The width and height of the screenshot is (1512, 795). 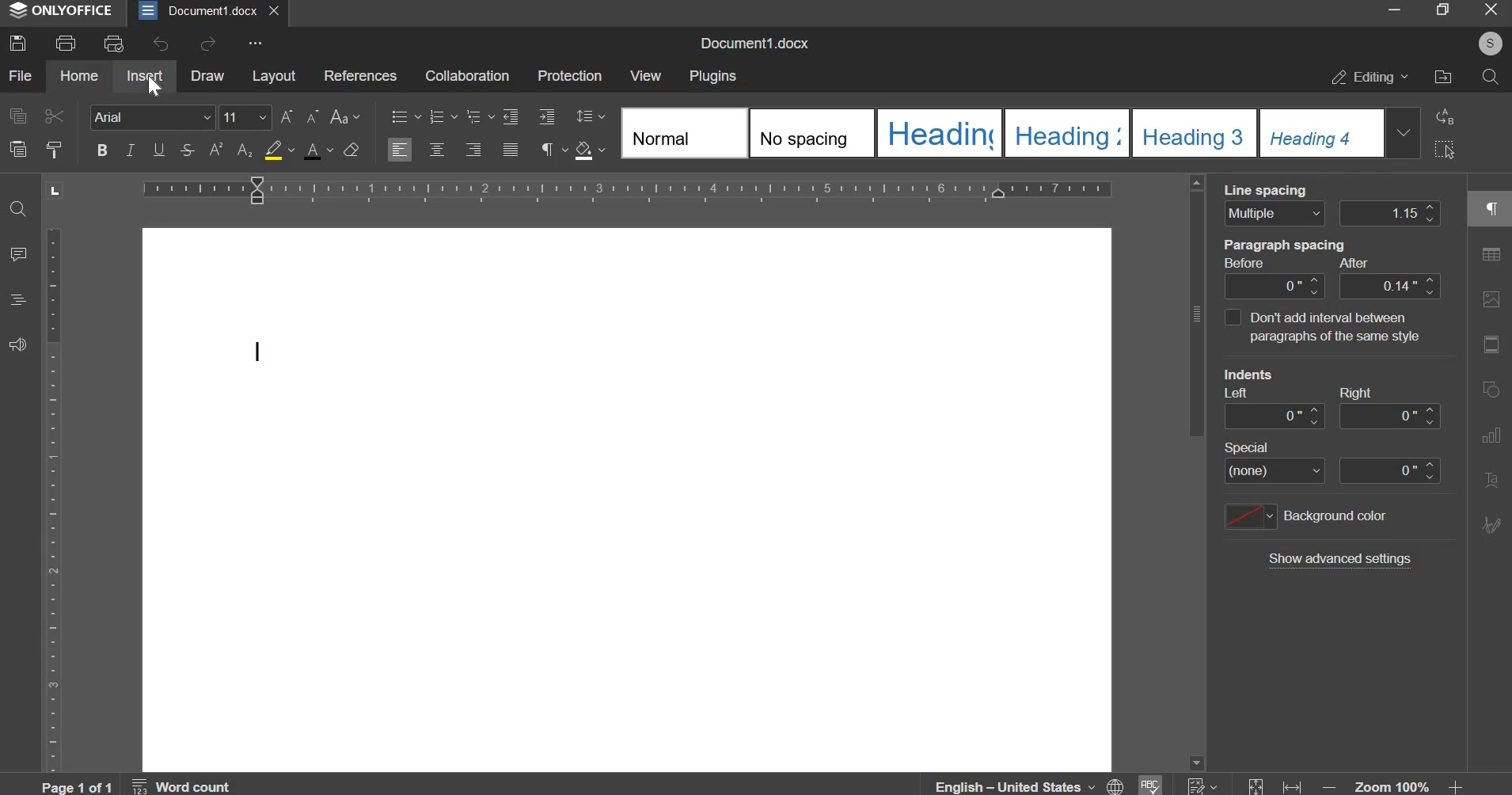 What do you see at coordinates (1252, 378) in the screenshot?
I see `indents` at bounding box center [1252, 378].